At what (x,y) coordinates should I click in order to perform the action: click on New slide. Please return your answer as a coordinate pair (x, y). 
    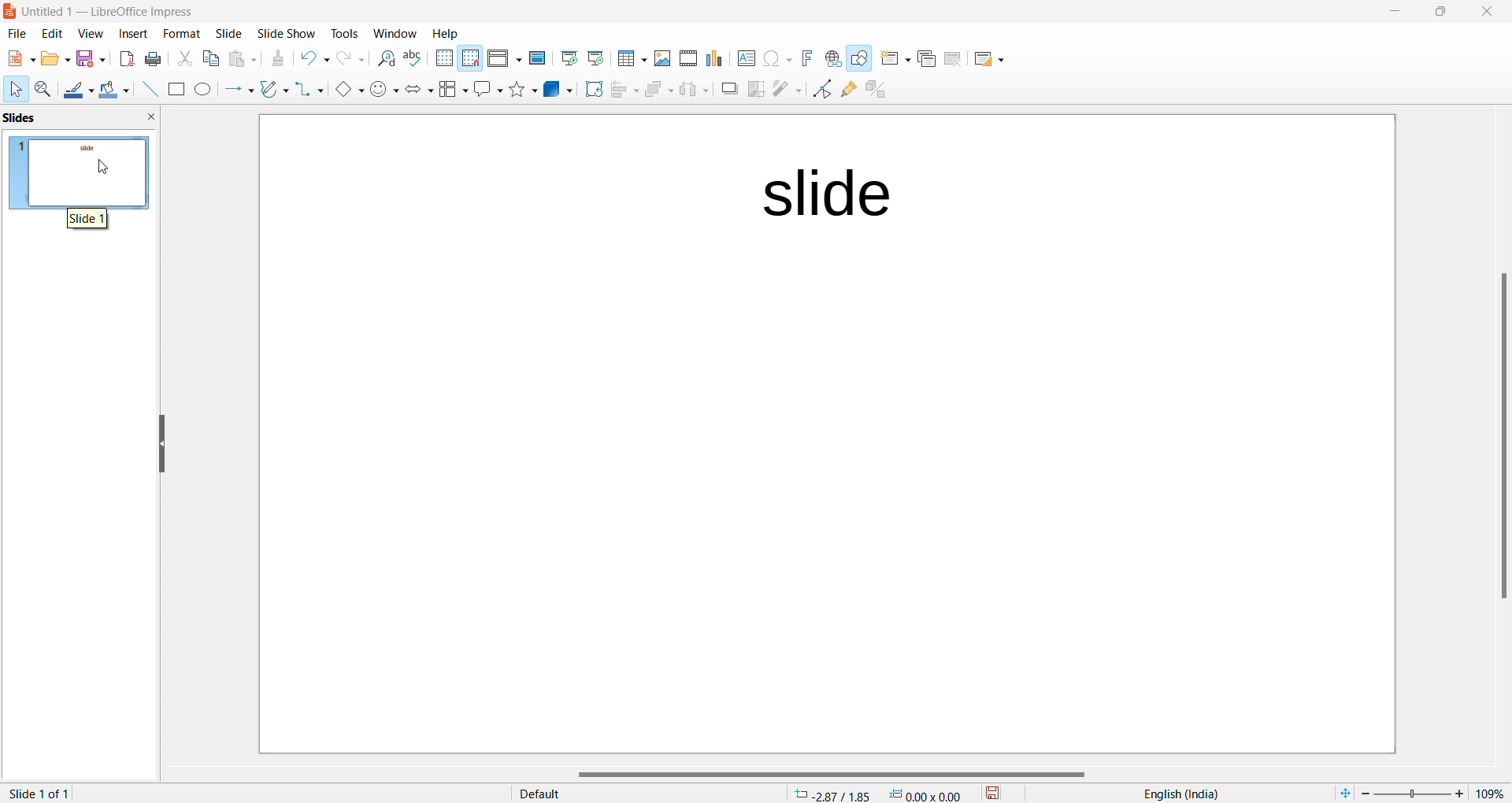
    Looking at the image, I should click on (892, 60).